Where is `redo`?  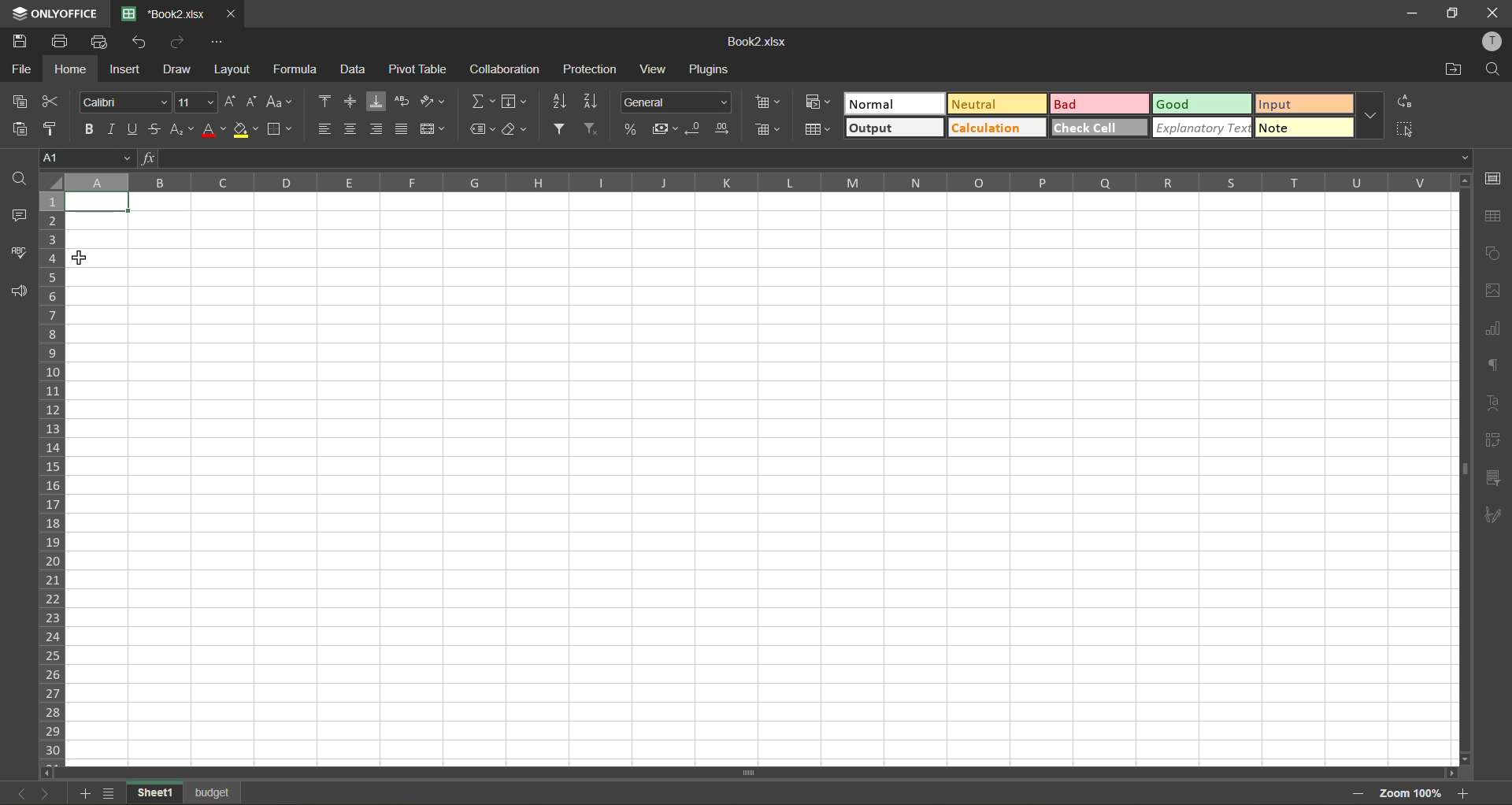 redo is located at coordinates (179, 43).